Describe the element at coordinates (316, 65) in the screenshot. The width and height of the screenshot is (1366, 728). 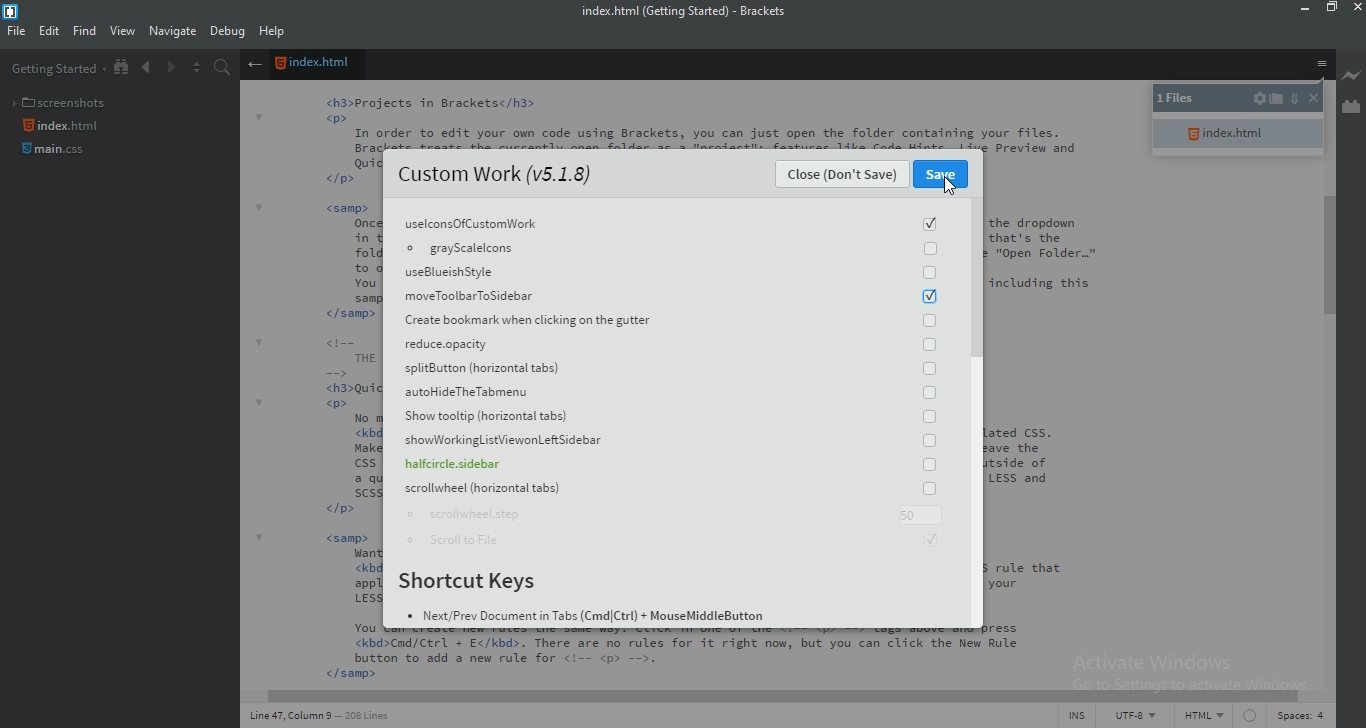
I see `Index.html` at that location.